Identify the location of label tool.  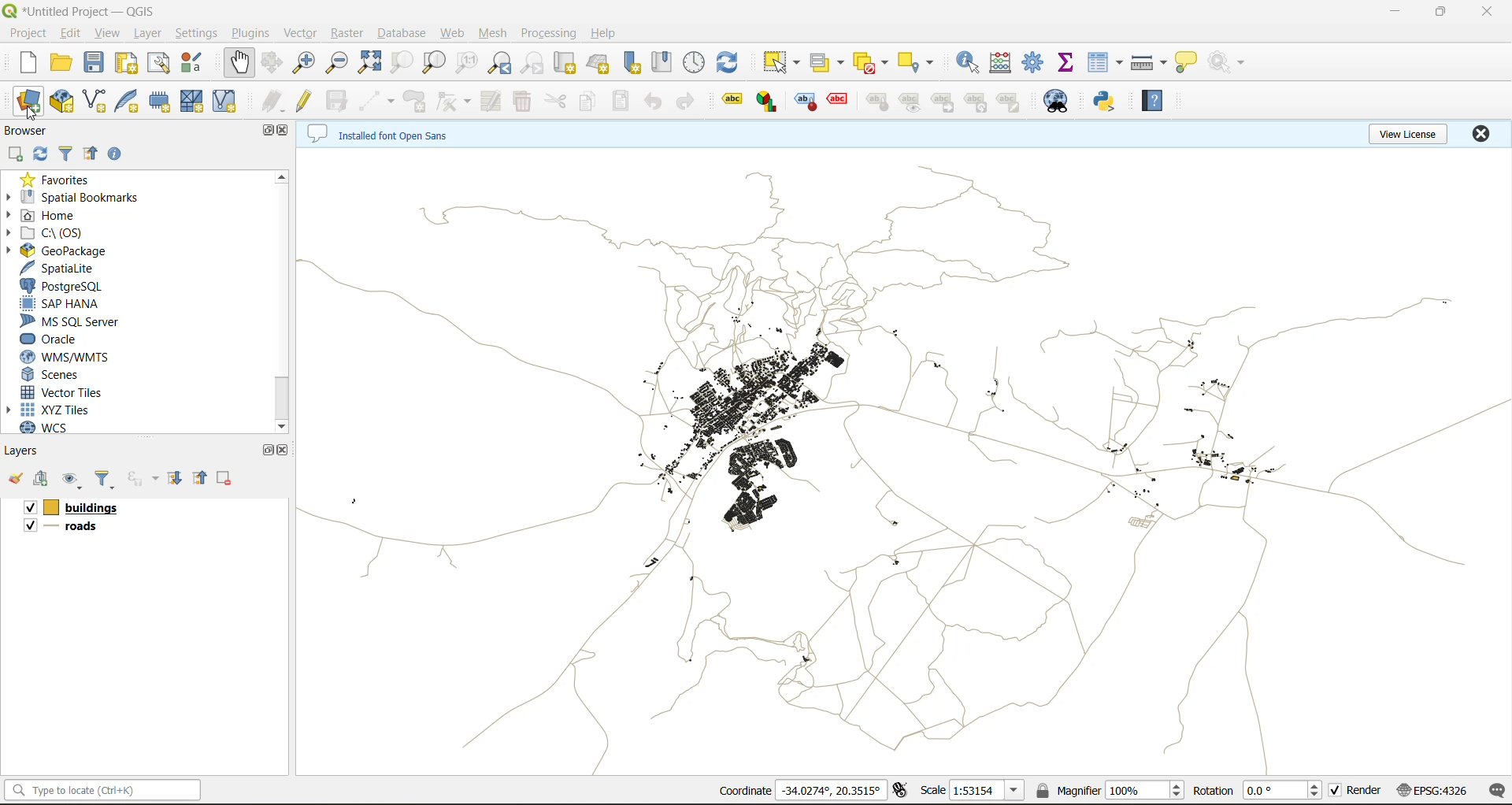
(978, 103).